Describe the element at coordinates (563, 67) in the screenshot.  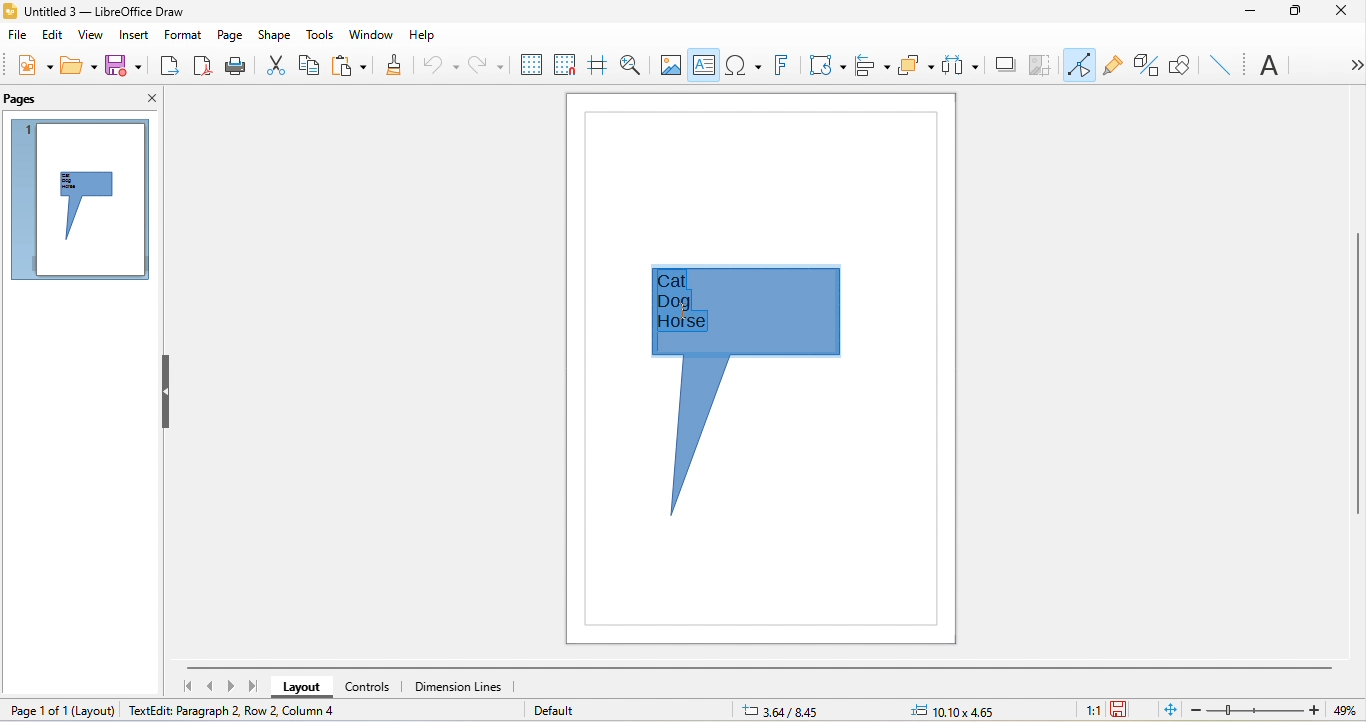
I see `snap to grids` at that location.